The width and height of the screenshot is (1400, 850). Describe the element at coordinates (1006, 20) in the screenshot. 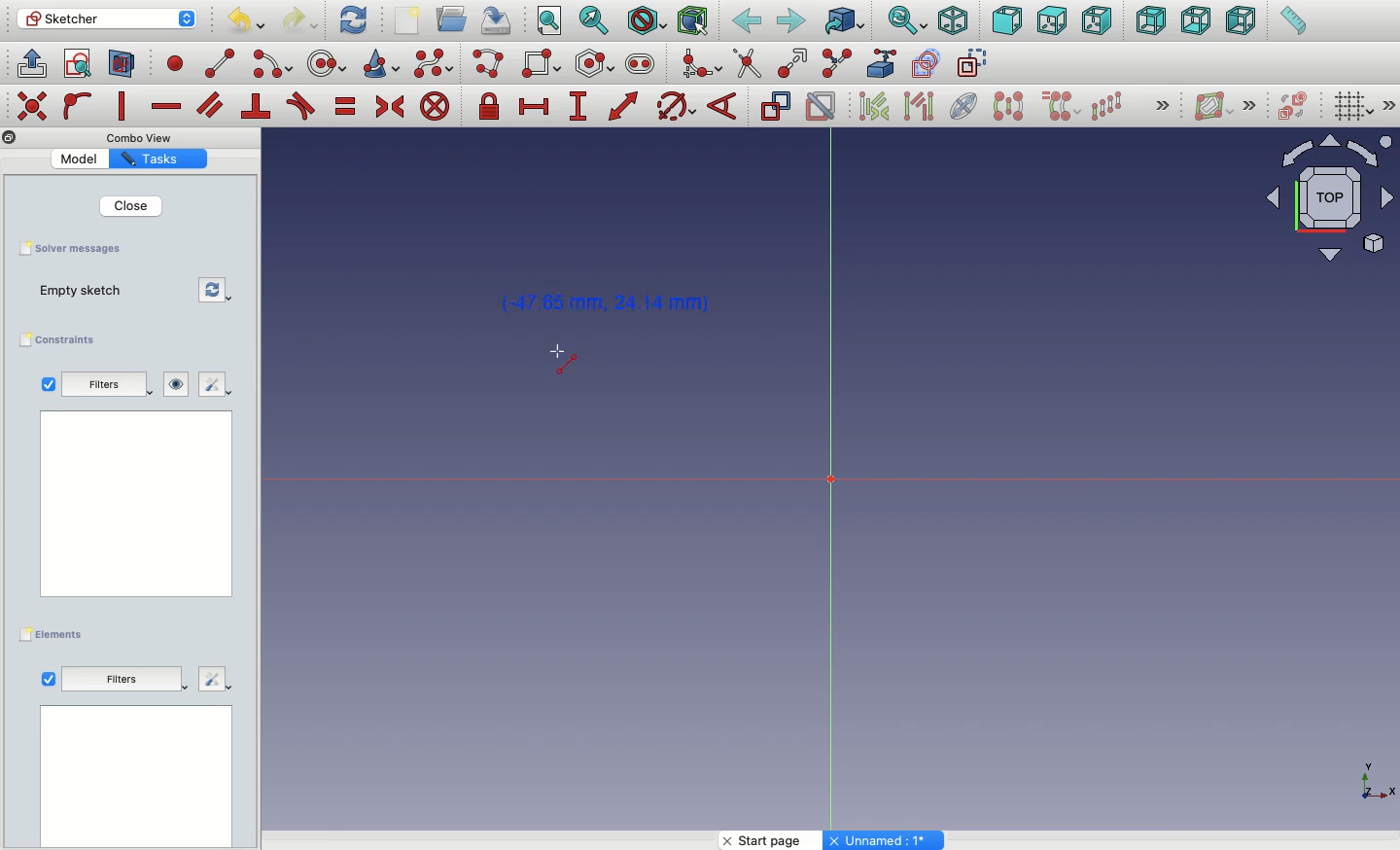

I see `Front` at that location.